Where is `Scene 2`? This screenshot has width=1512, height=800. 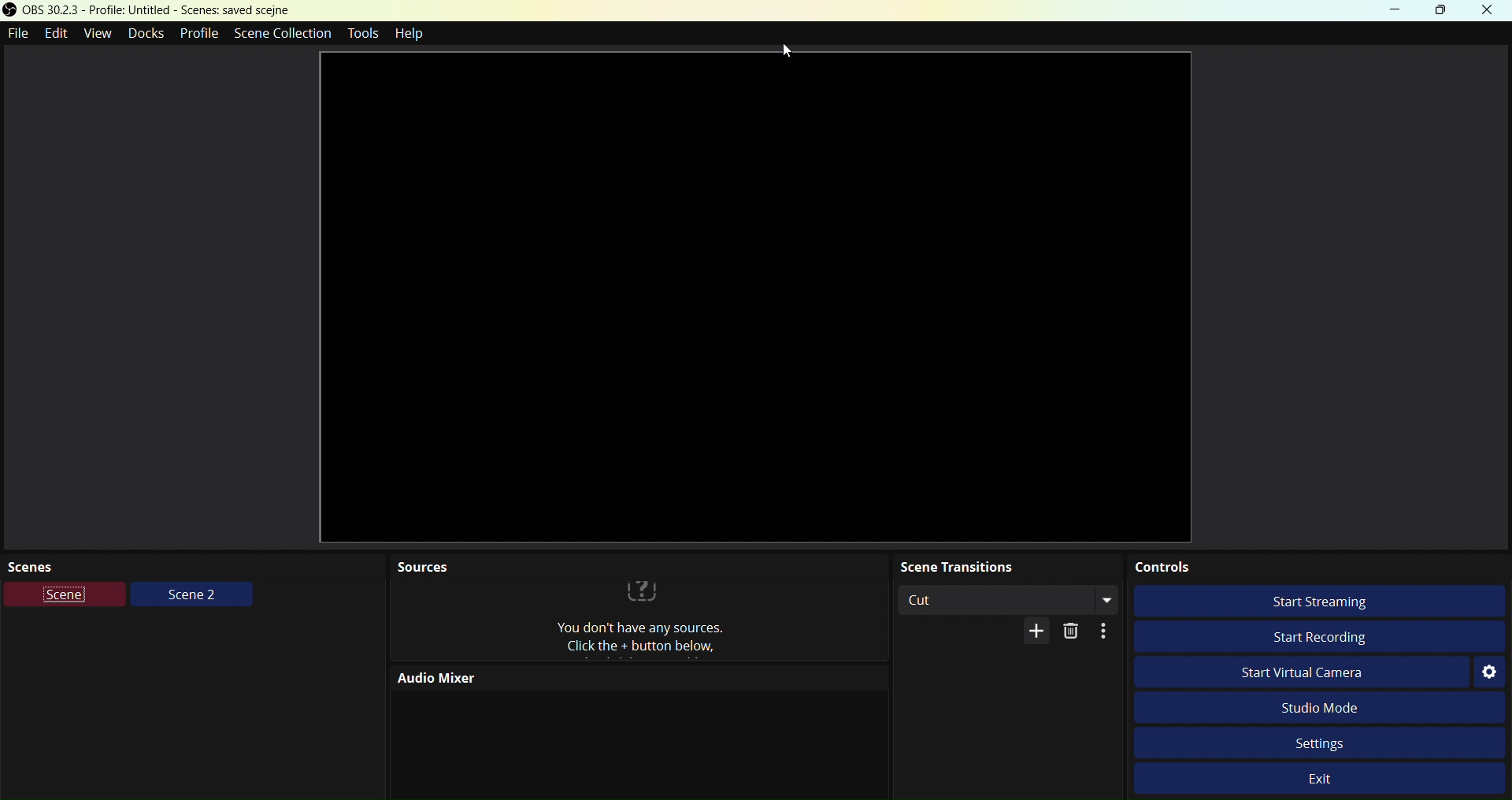 Scene 2 is located at coordinates (190, 594).